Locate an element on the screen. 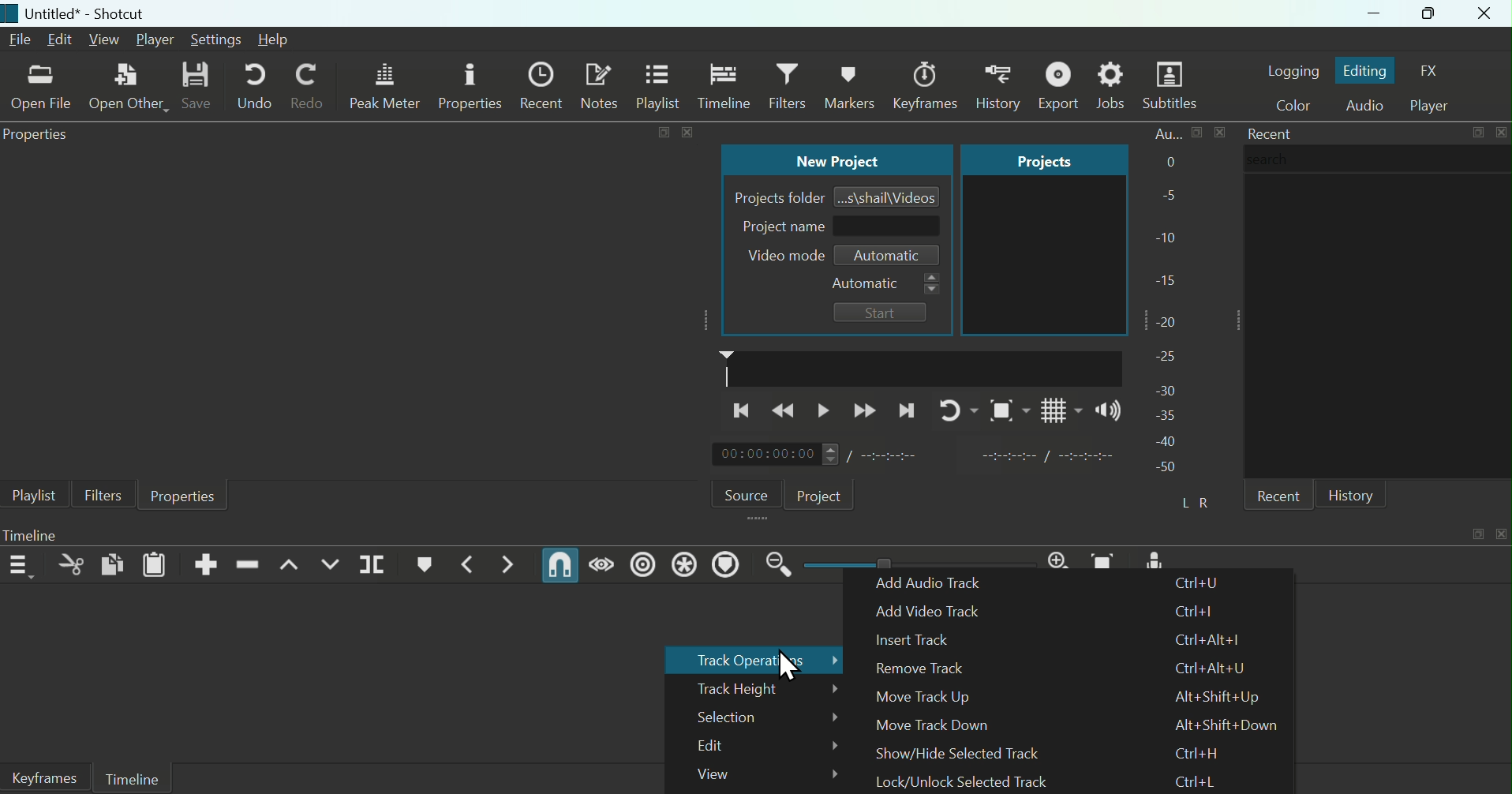 Image resolution: width=1512 pixels, height=794 pixels. Add Audio Track is located at coordinates (950, 586).